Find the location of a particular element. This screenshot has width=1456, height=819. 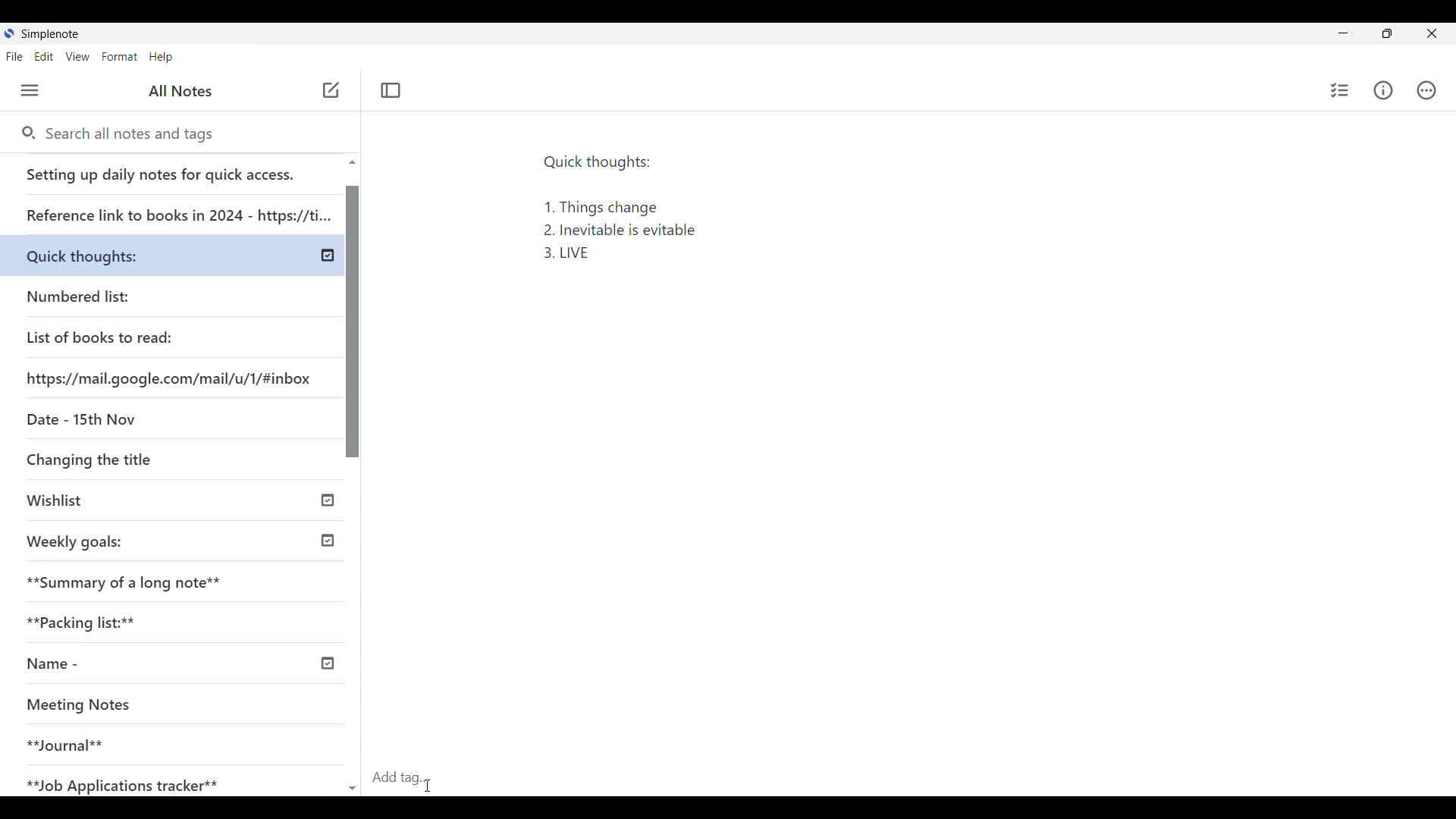

Actions is located at coordinates (1425, 89).